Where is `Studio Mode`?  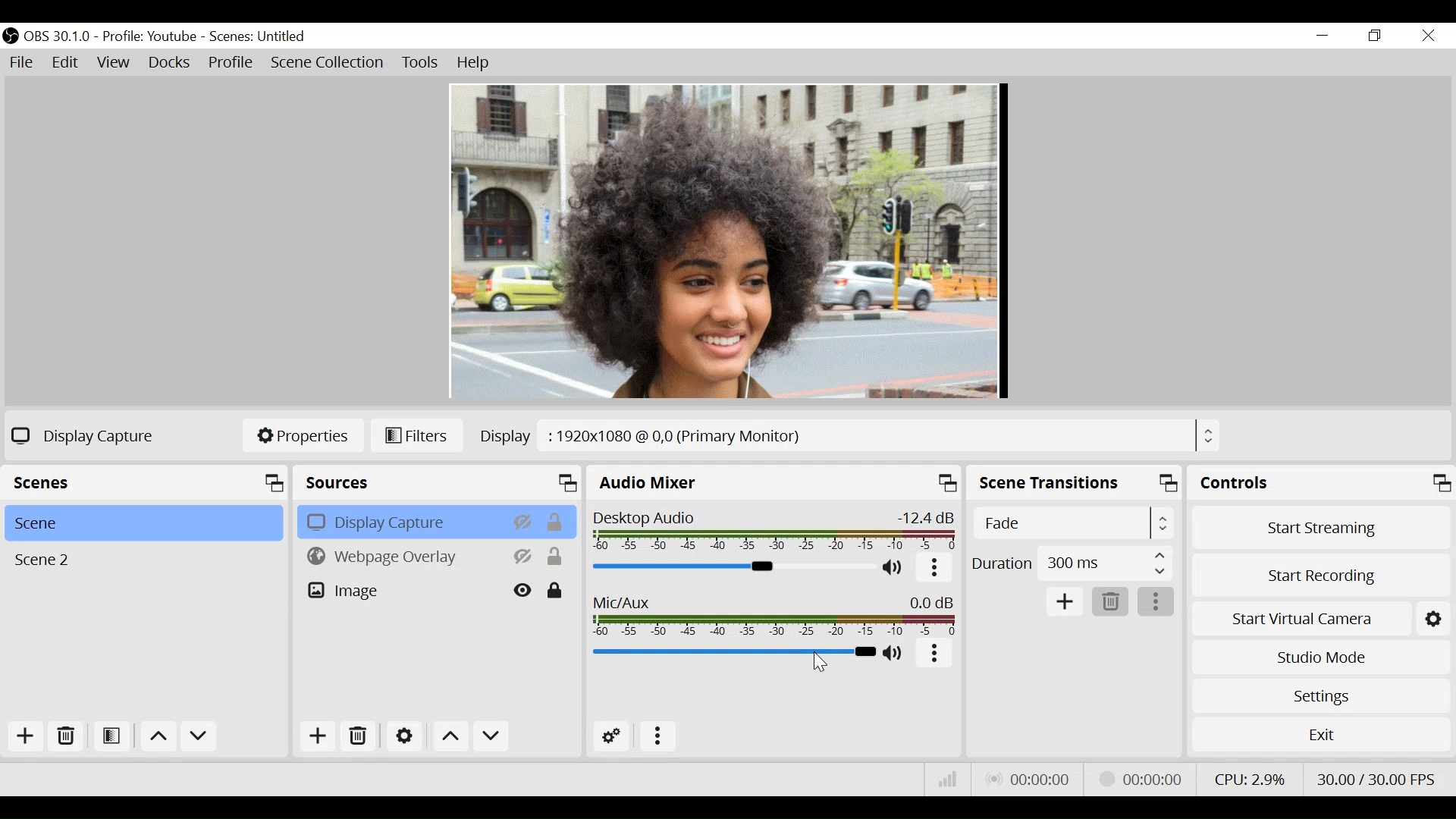 Studio Mode is located at coordinates (1320, 655).